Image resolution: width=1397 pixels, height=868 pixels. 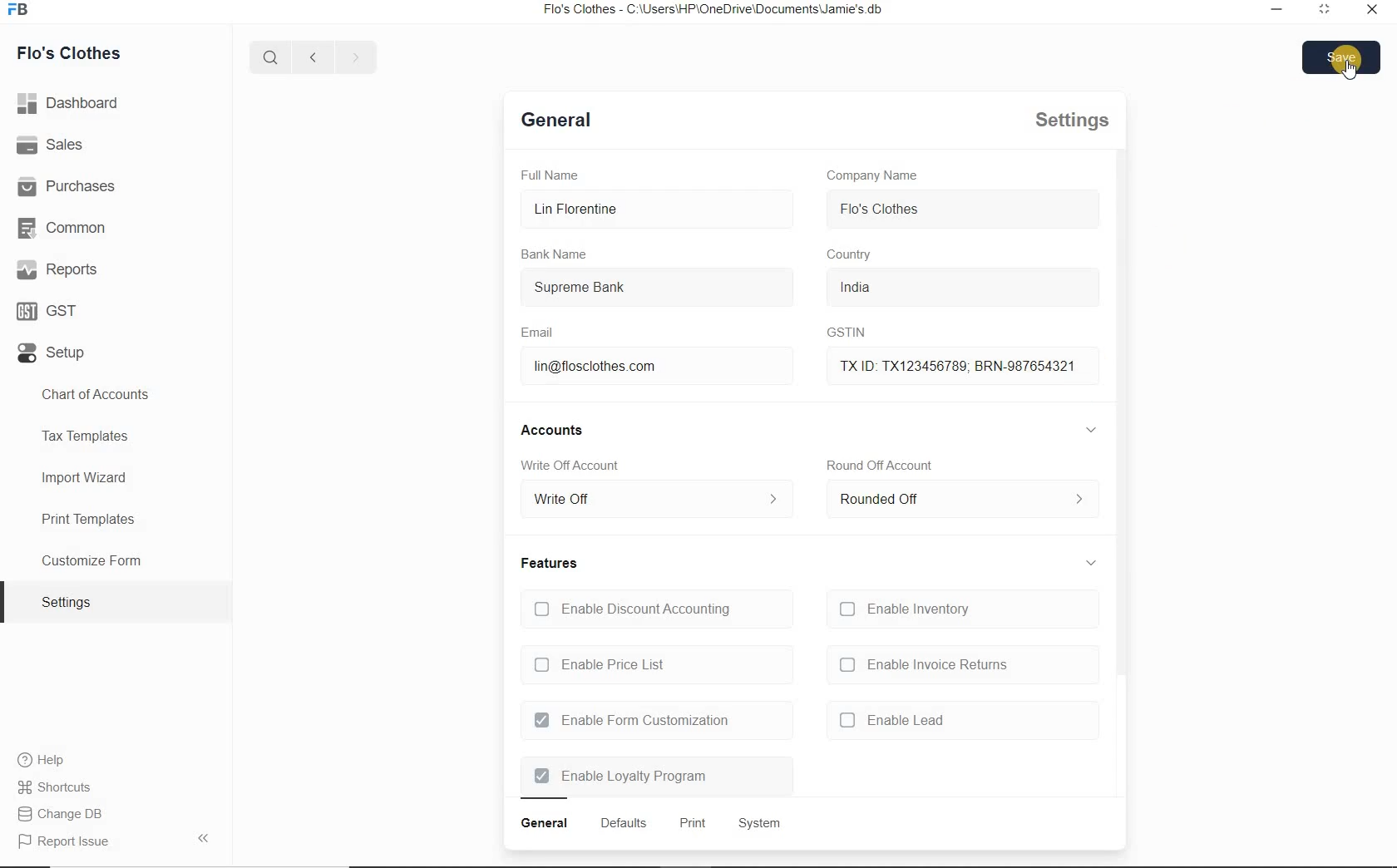 I want to click on mouse pointer, so click(x=1349, y=73).